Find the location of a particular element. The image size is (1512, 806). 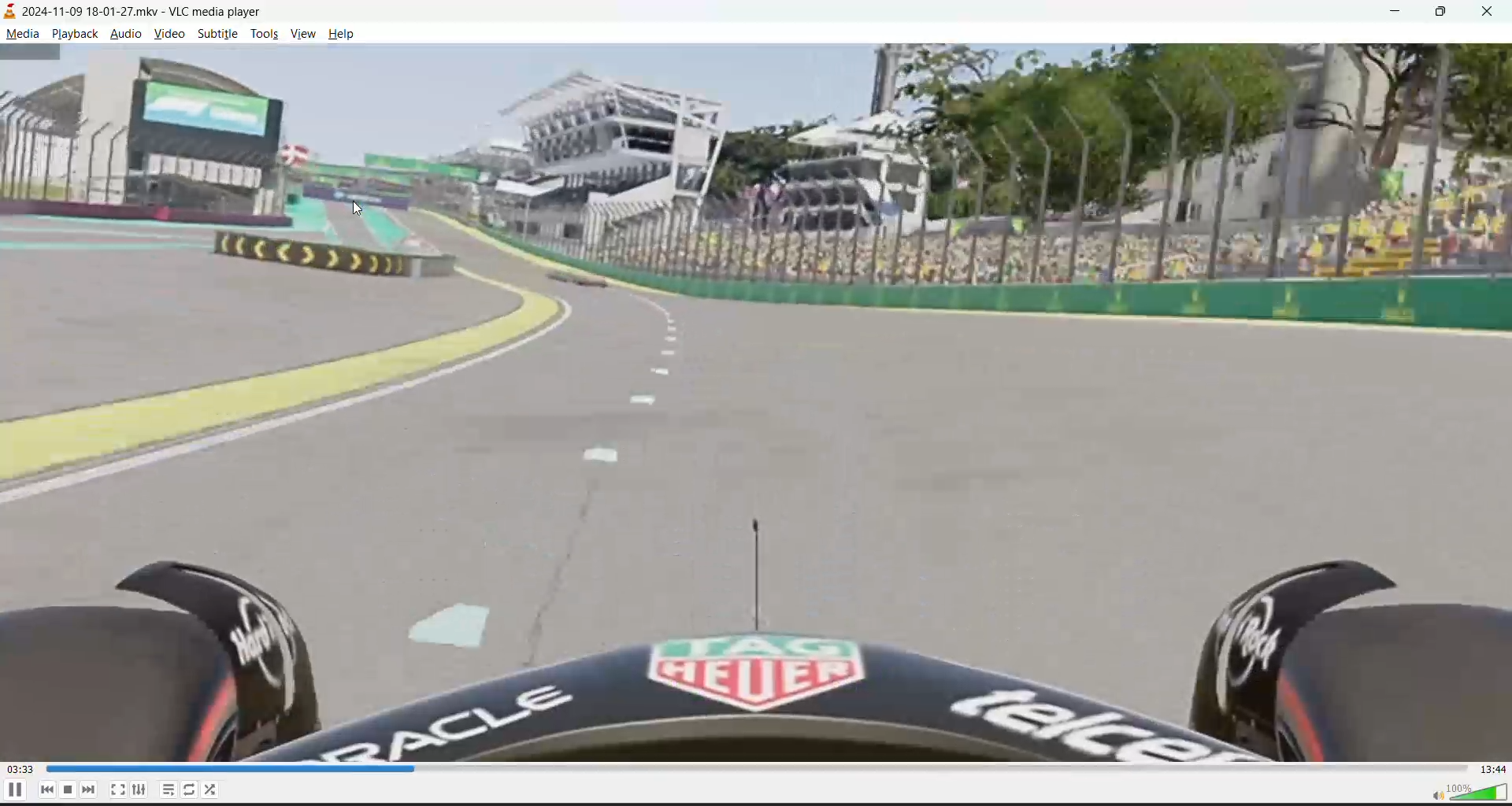

pause is located at coordinates (13, 789).